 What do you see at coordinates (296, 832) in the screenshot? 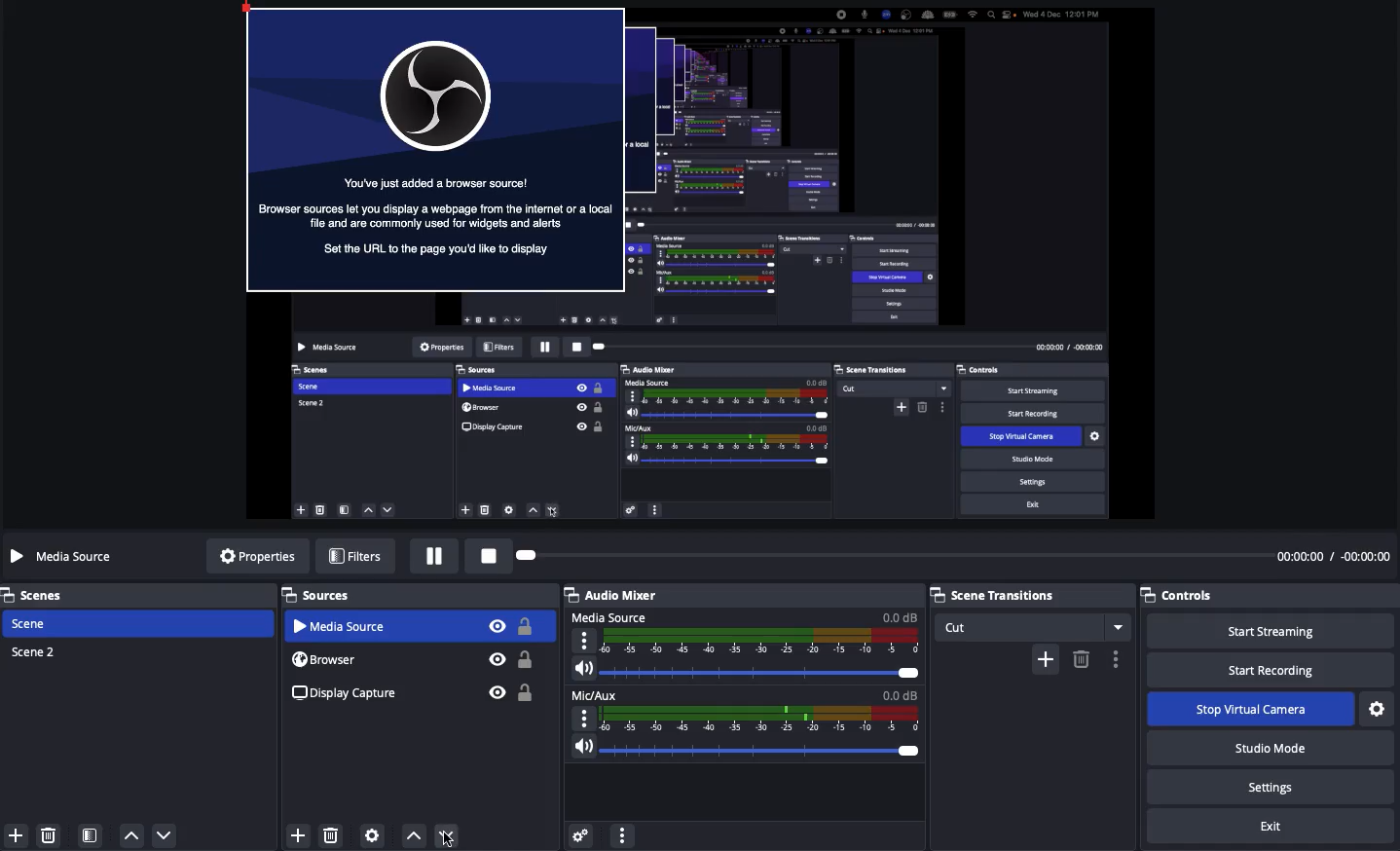
I see `Add` at bounding box center [296, 832].